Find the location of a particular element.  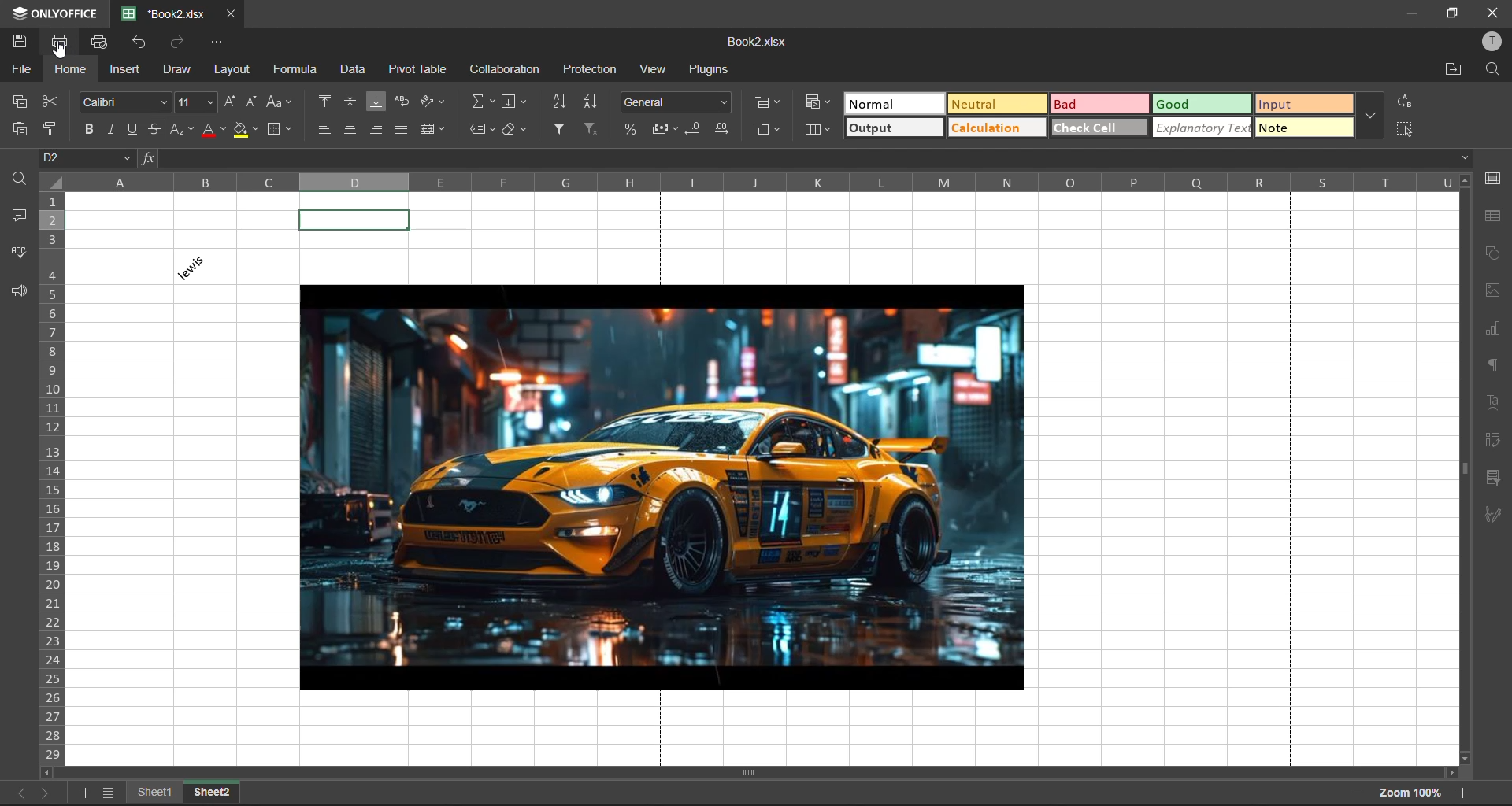

file name is located at coordinates (758, 43).